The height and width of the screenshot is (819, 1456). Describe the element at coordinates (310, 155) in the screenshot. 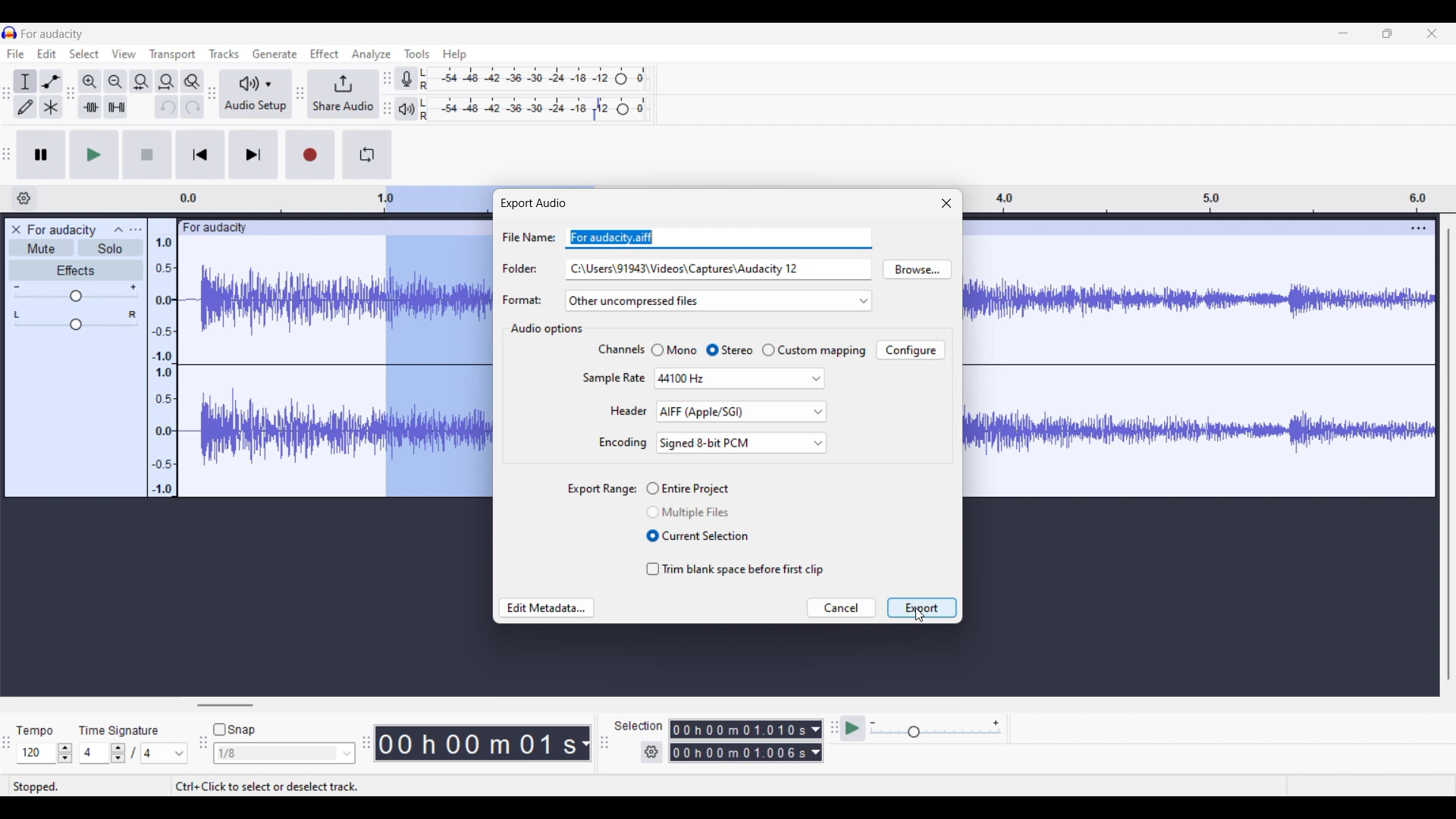

I see `Record/Record new track` at that location.